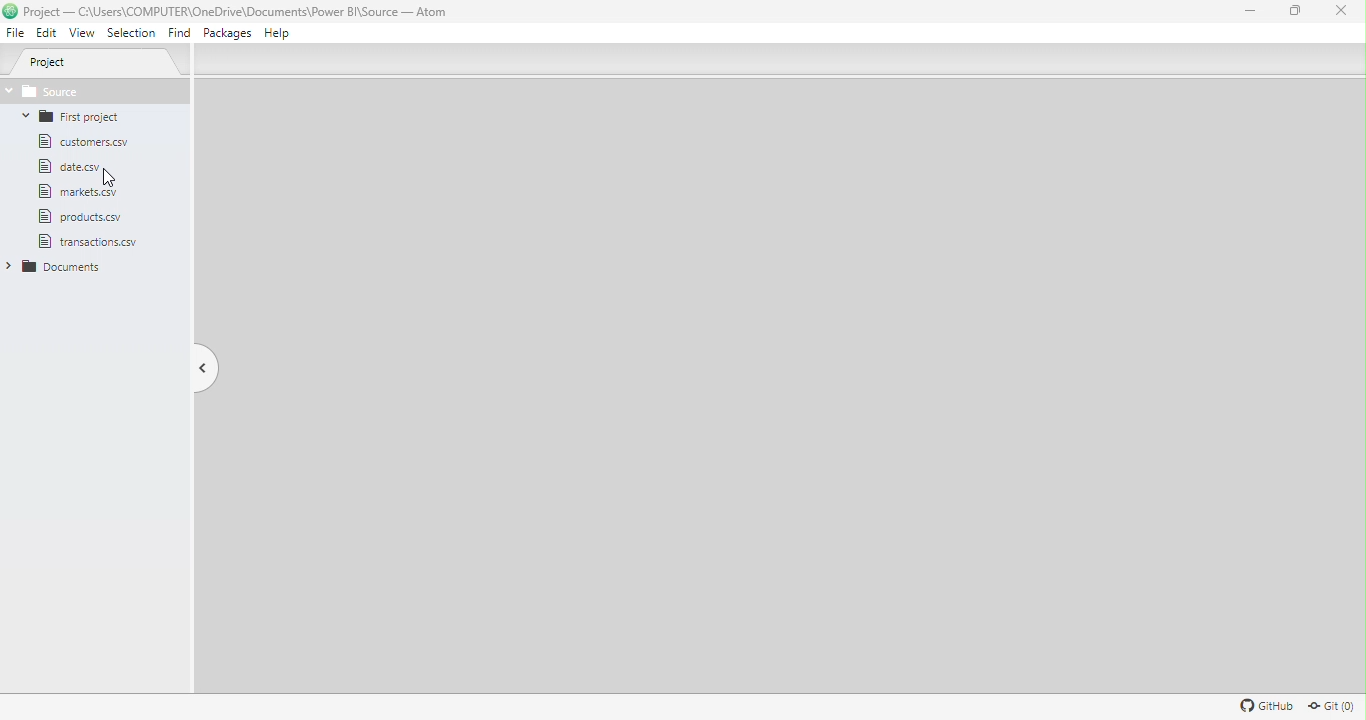 This screenshot has width=1366, height=720. Describe the element at coordinates (47, 34) in the screenshot. I see `Edit` at that location.